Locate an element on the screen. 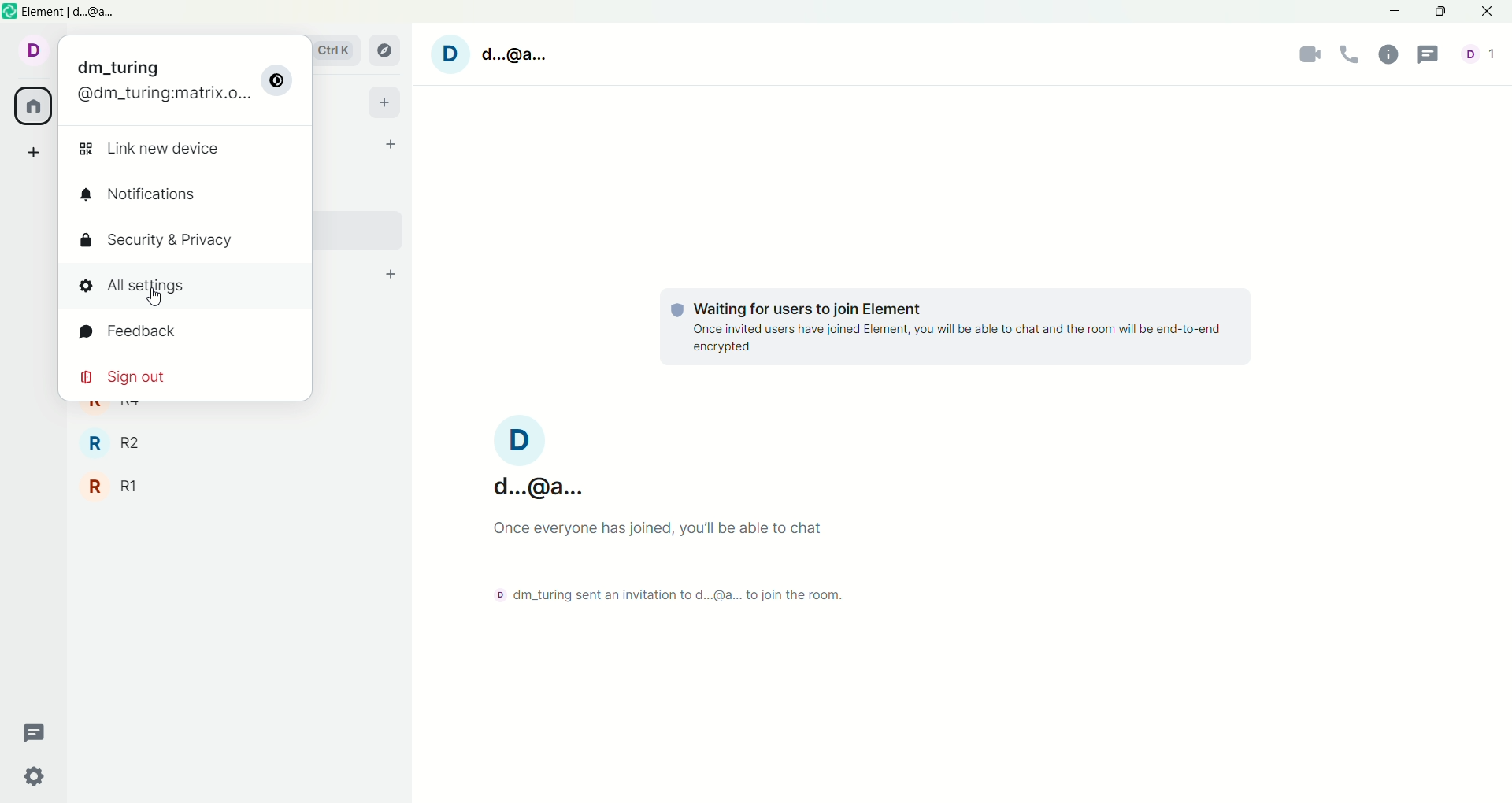 This screenshot has height=803, width=1512. sign out is located at coordinates (129, 379).